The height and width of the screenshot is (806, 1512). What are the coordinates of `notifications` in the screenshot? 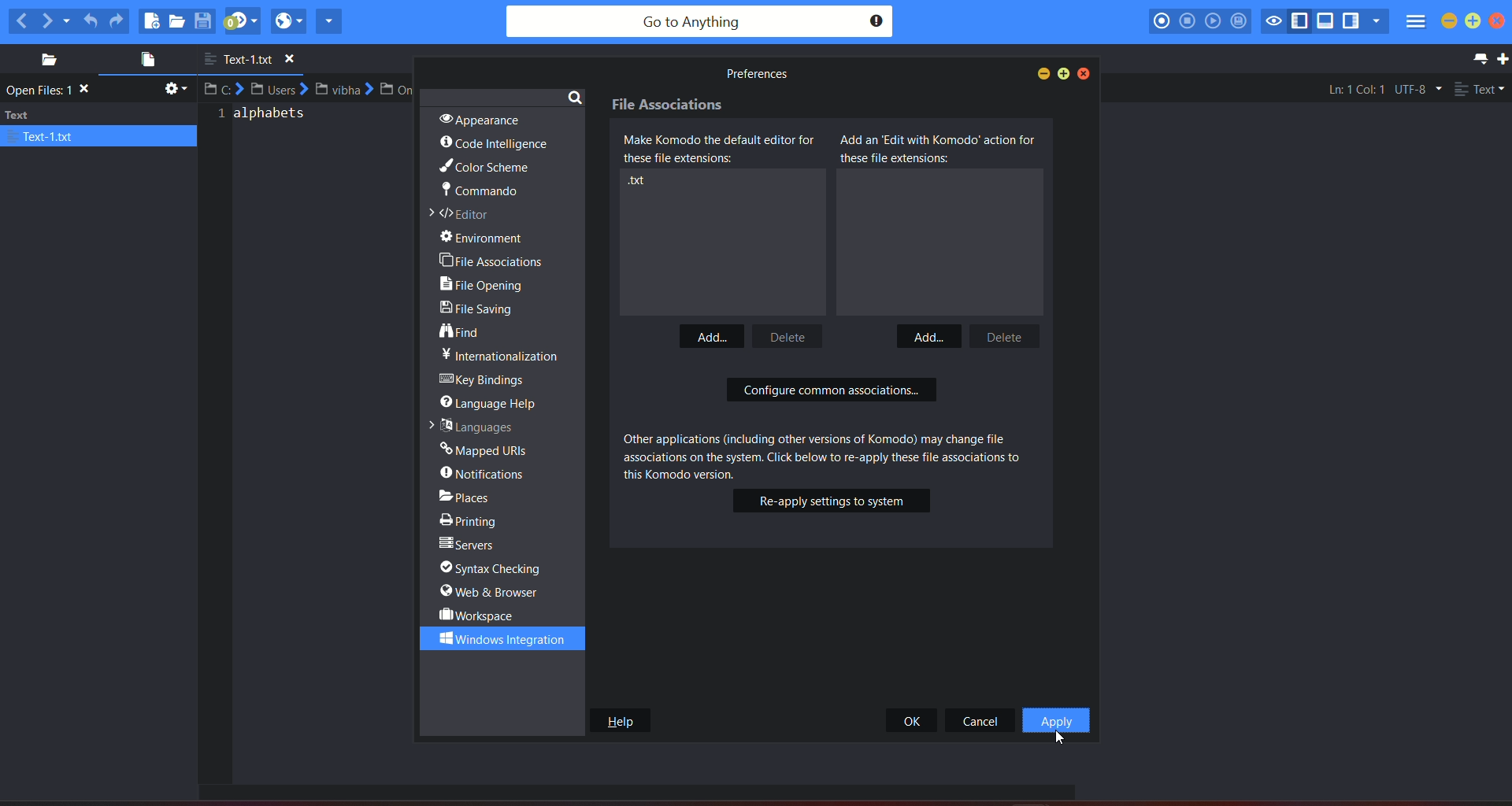 It's located at (485, 473).